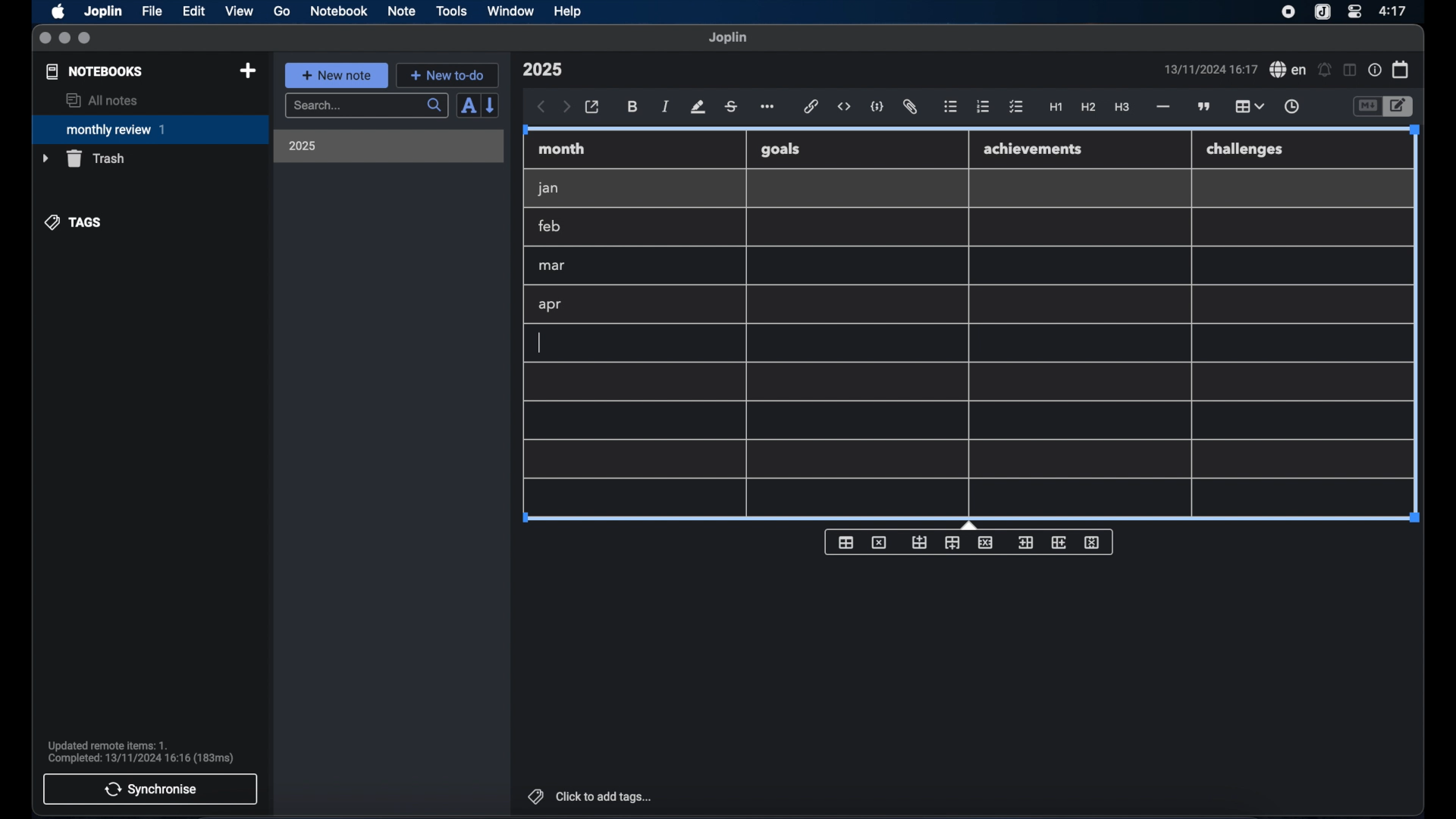 The width and height of the screenshot is (1456, 819). I want to click on jan, so click(548, 189).